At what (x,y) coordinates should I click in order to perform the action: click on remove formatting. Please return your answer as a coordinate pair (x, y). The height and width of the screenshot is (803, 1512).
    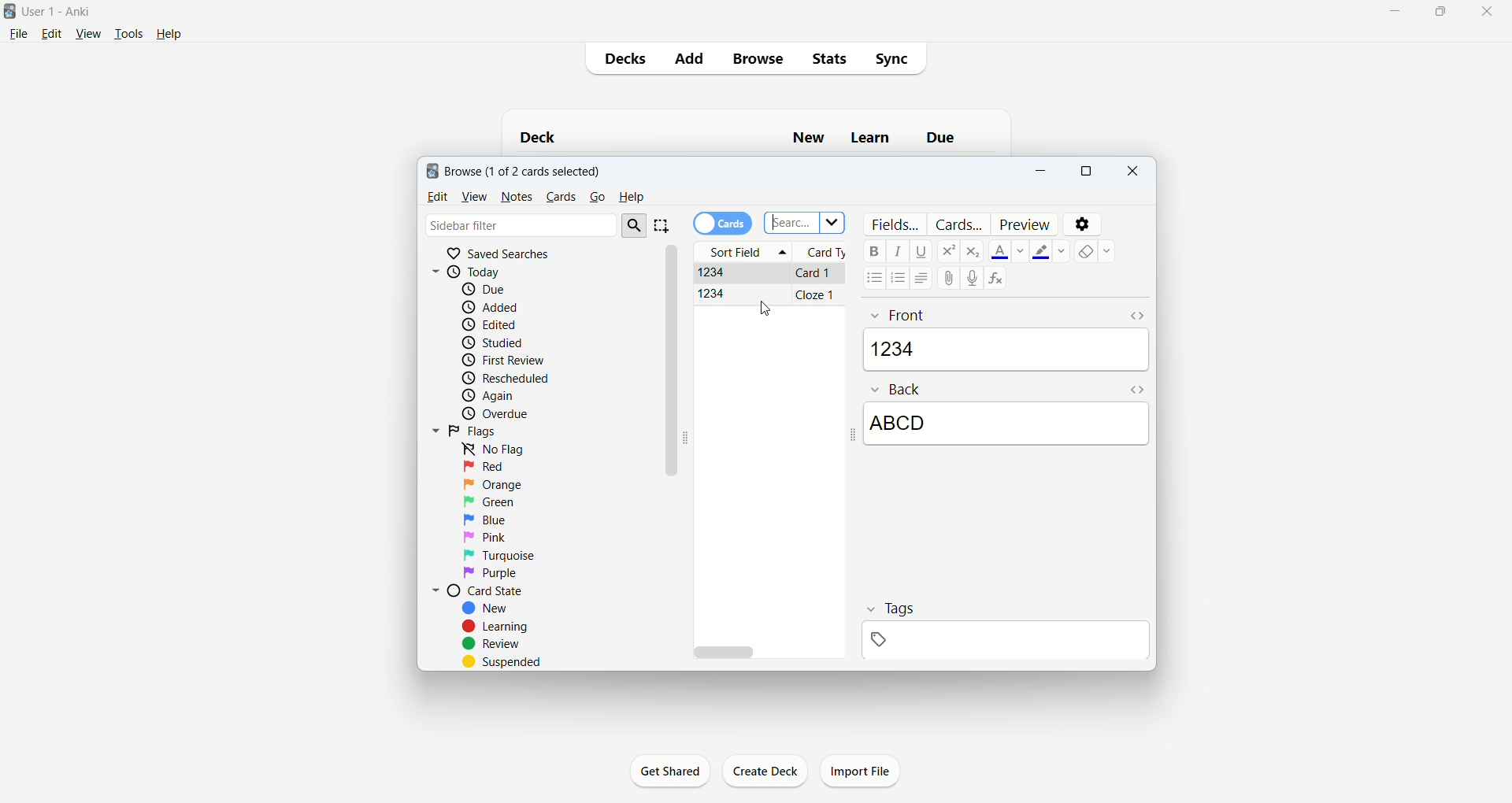
    Looking at the image, I should click on (1095, 250).